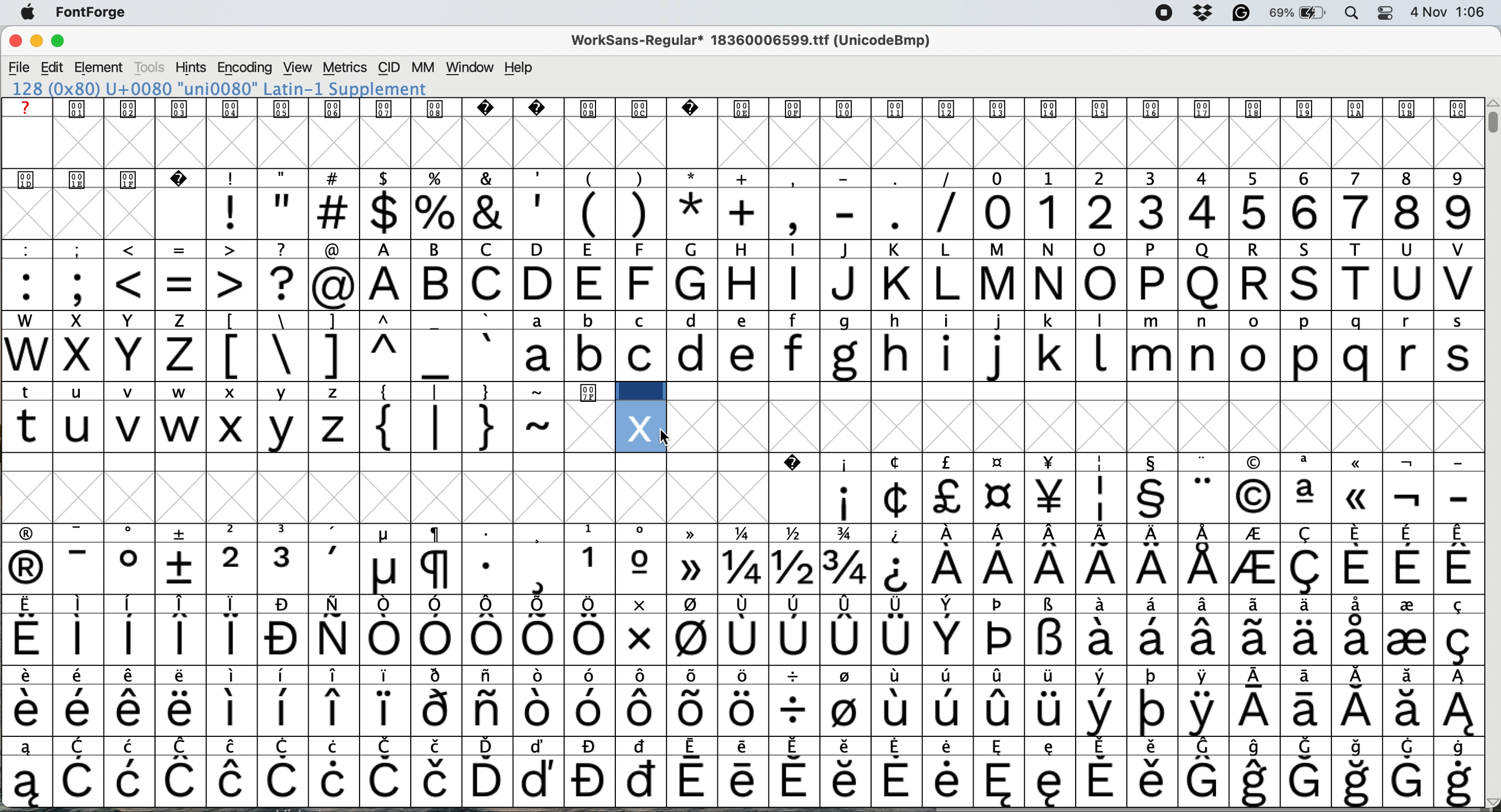 Image resolution: width=1501 pixels, height=812 pixels. What do you see at coordinates (739, 533) in the screenshot?
I see `special characters` at bounding box center [739, 533].